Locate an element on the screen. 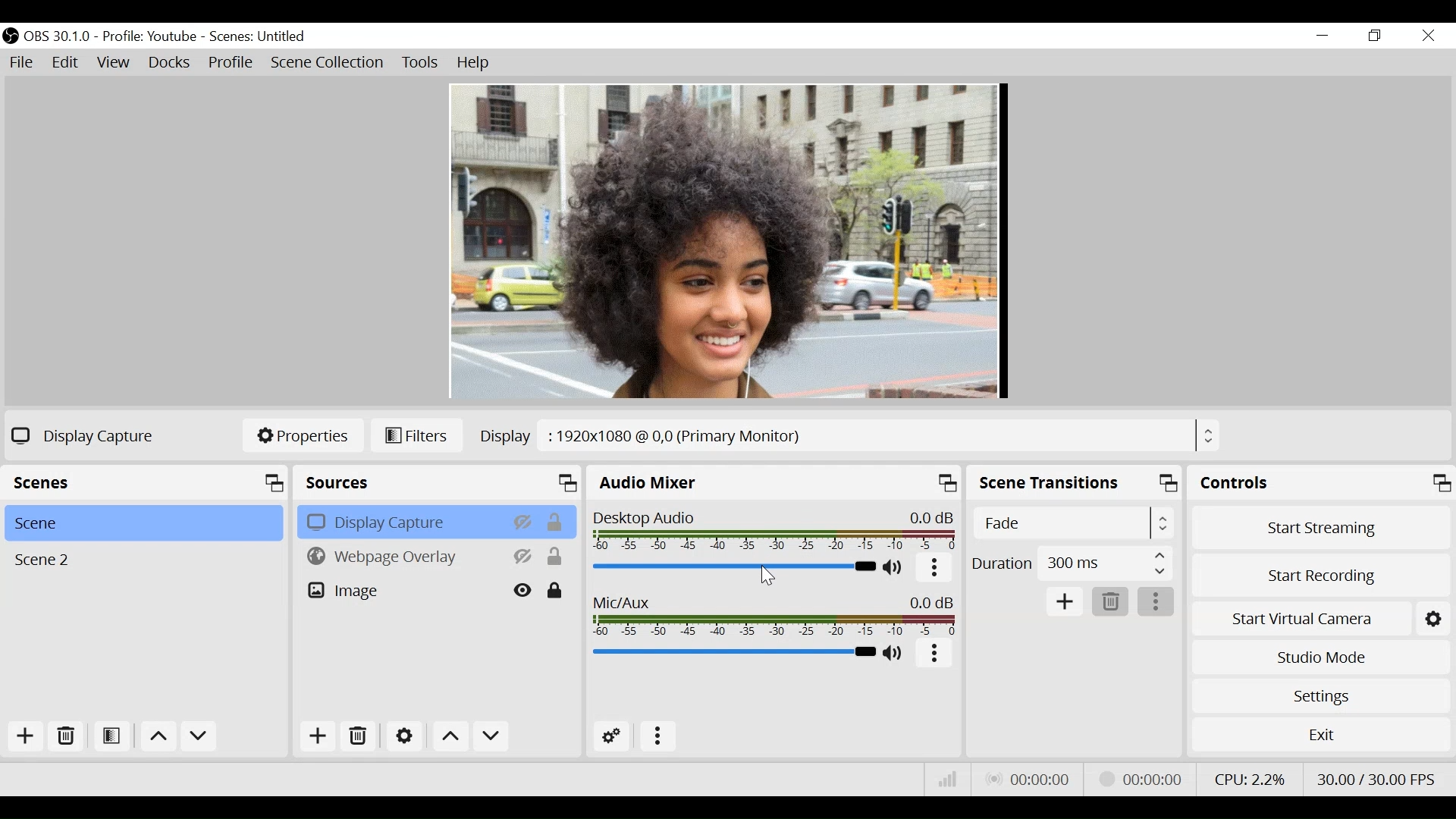 Image resolution: width=1456 pixels, height=819 pixels. Desktop Audio is located at coordinates (773, 531).